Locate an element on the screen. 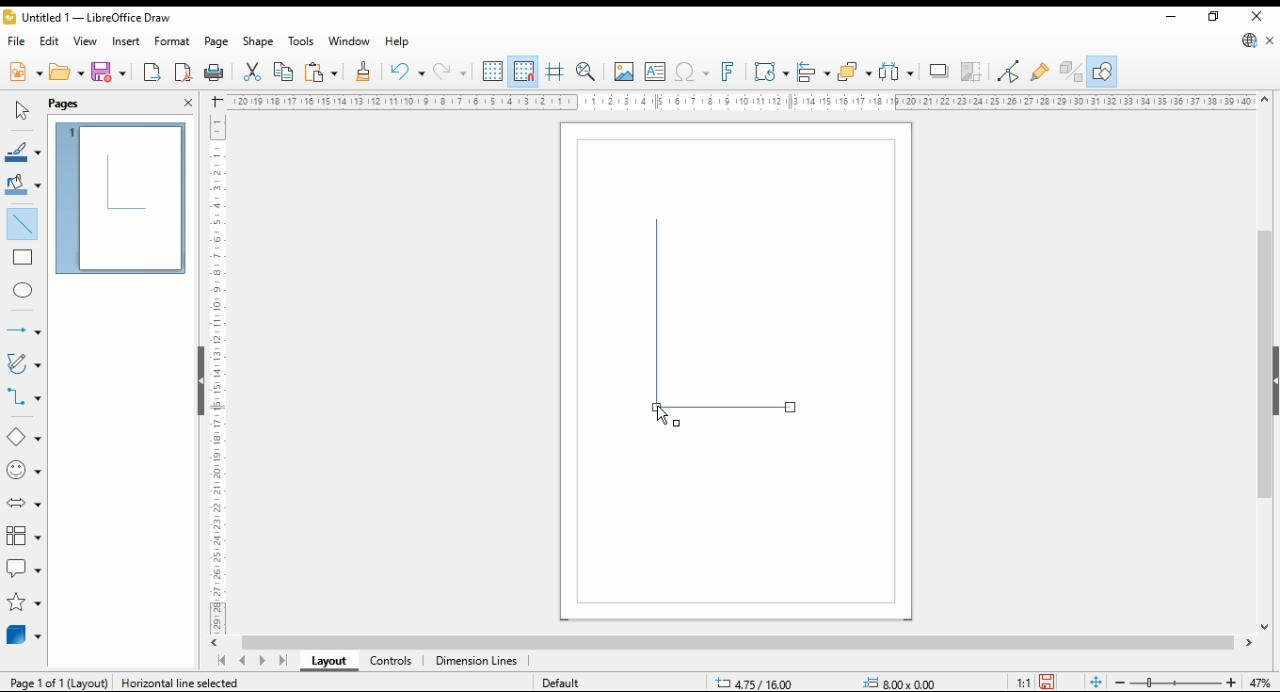  show draw functions is located at coordinates (1102, 72).